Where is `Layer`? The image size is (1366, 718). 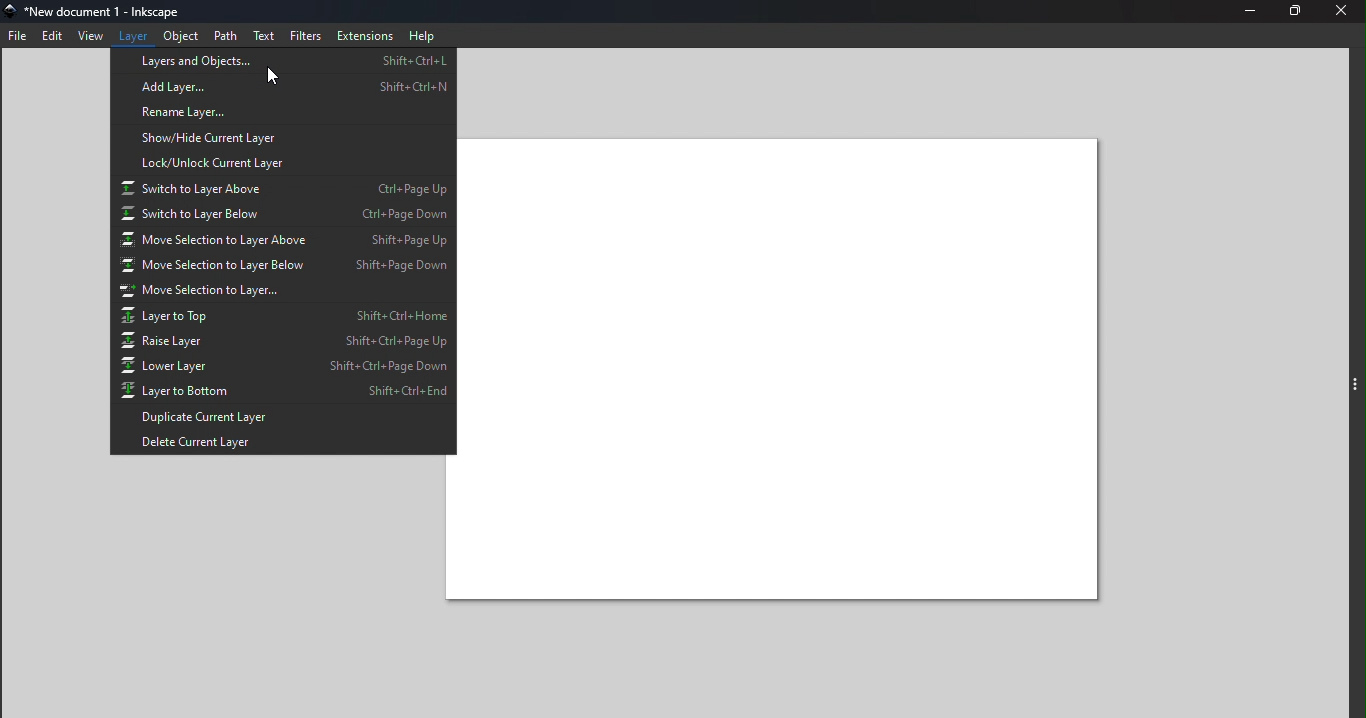 Layer is located at coordinates (131, 36).